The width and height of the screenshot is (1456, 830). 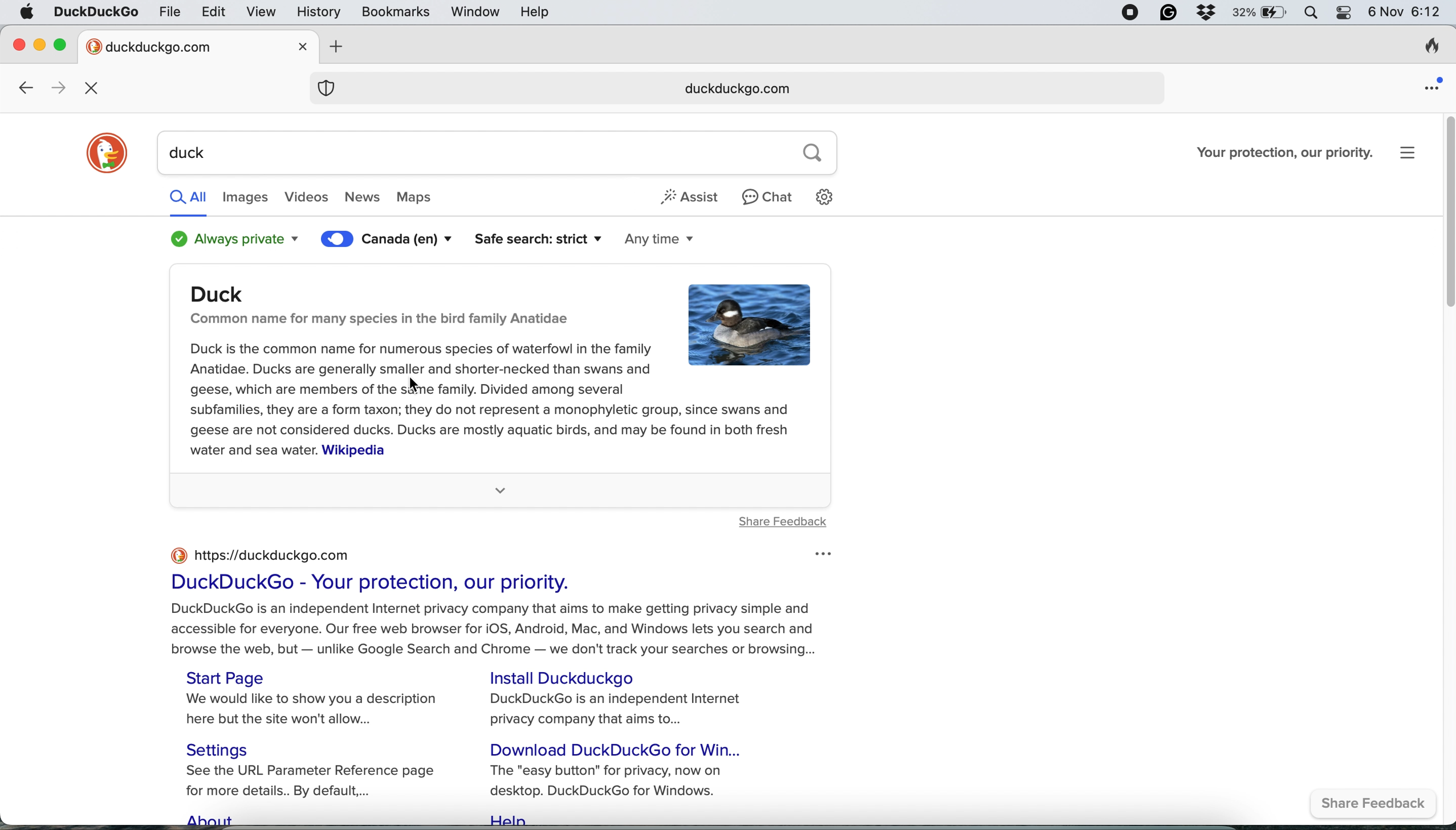 What do you see at coordinates (249, 450) in the screenshot?
I see `water and sea water` at bounding box center [249, 450].